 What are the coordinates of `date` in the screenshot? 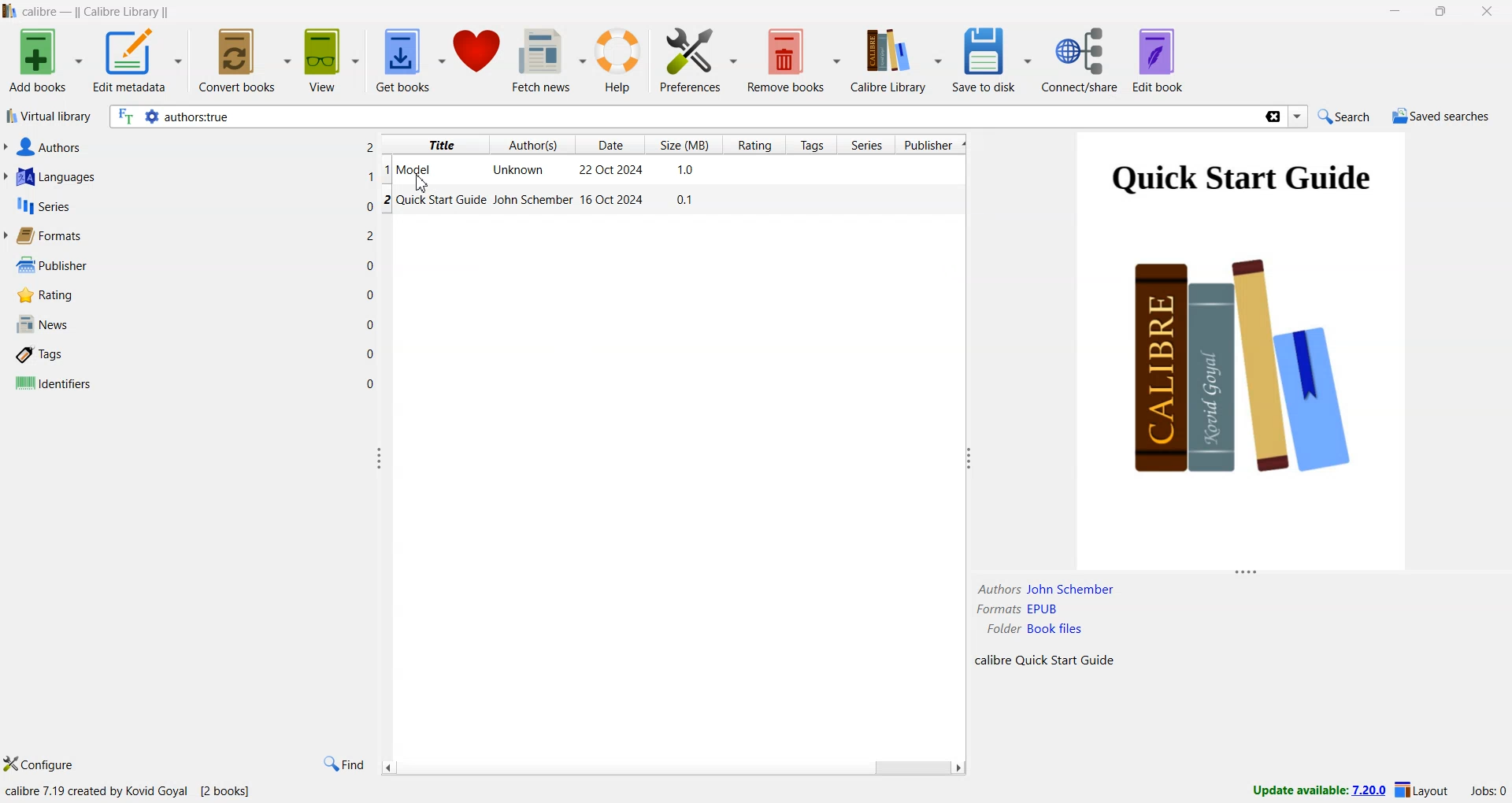 It's located at (613, 171).